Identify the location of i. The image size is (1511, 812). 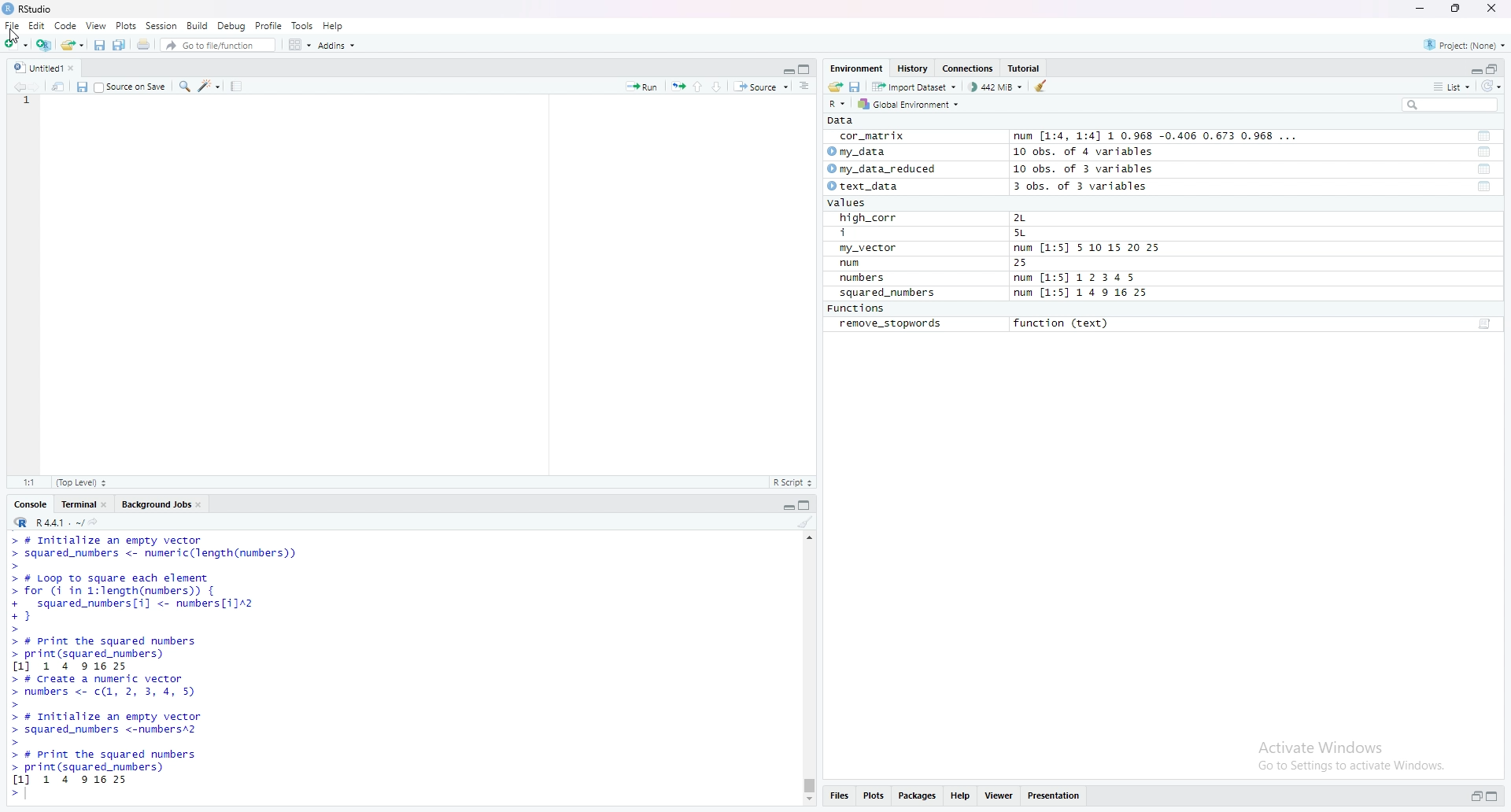
(863, 231).